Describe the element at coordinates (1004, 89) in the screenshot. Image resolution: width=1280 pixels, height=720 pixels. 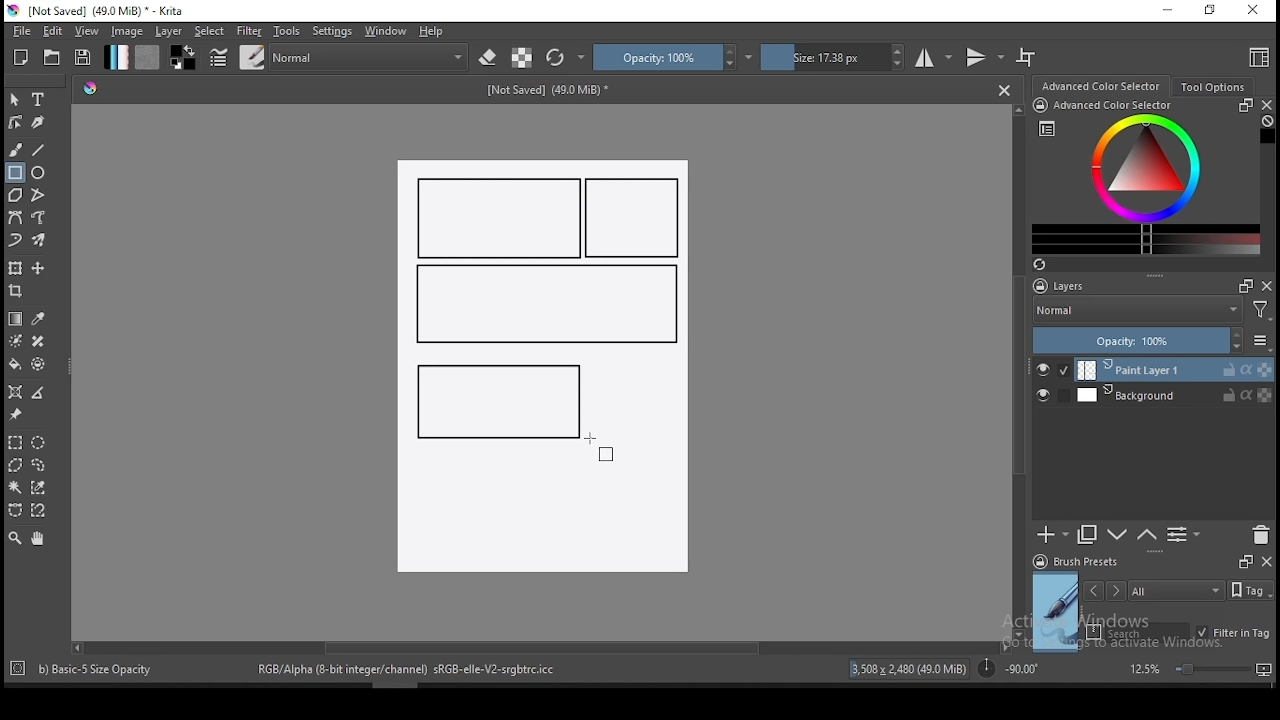
I see `Close` at that location.